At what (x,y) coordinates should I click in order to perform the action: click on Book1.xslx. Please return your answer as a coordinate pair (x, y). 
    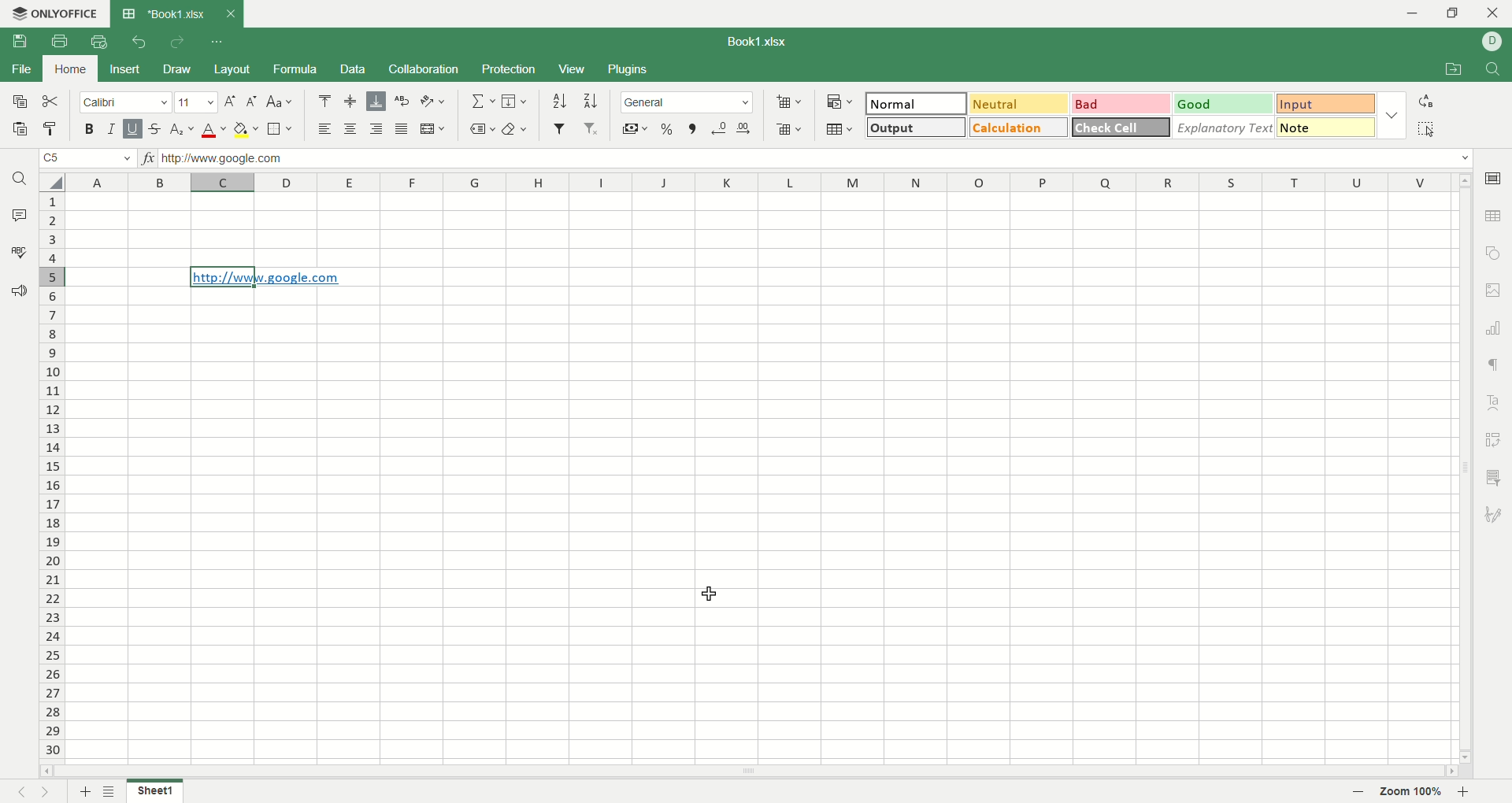
    Looking at the image, I should click on (765, 43).